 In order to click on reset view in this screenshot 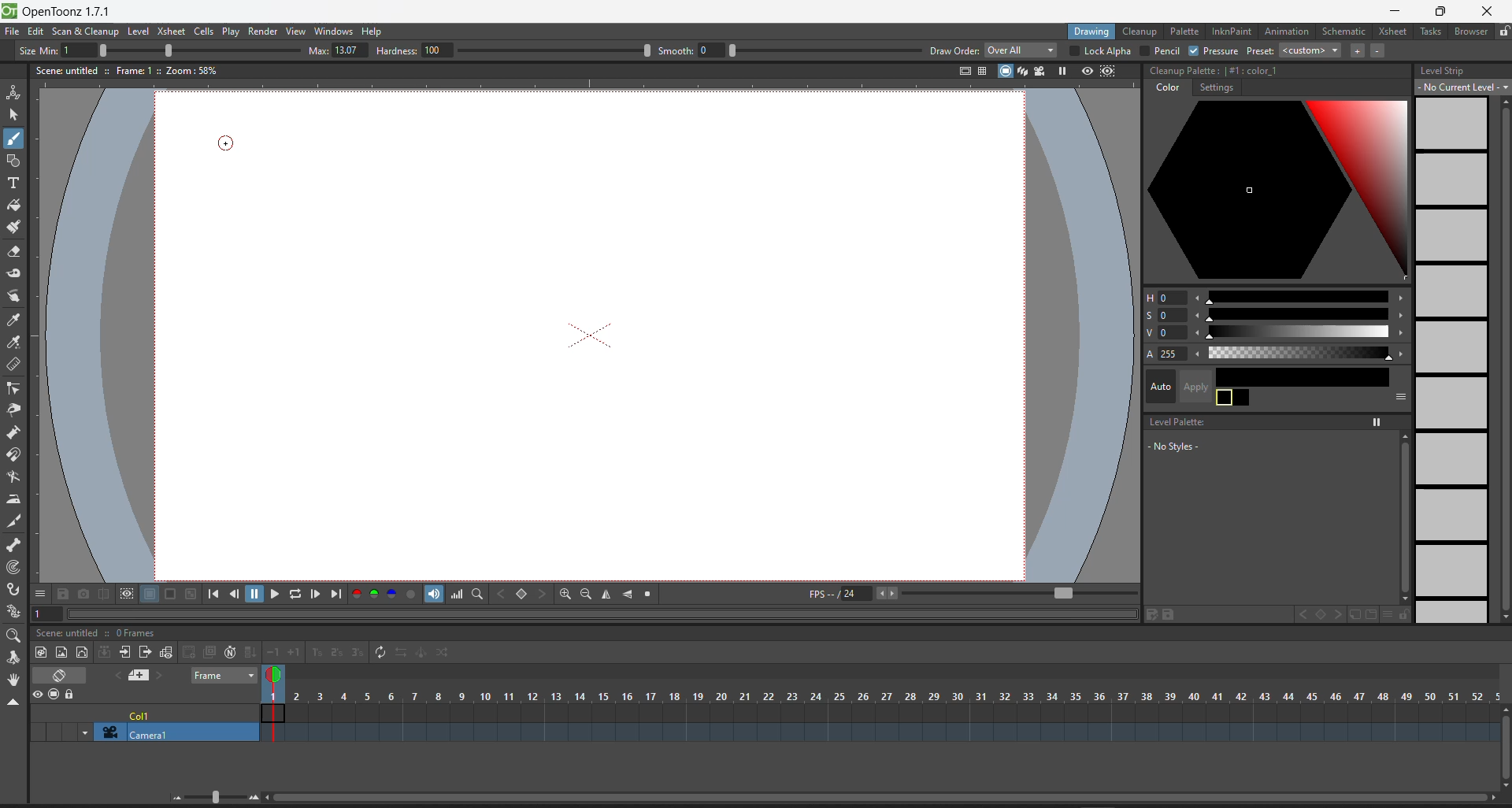, I will do `click(650, 595)`.